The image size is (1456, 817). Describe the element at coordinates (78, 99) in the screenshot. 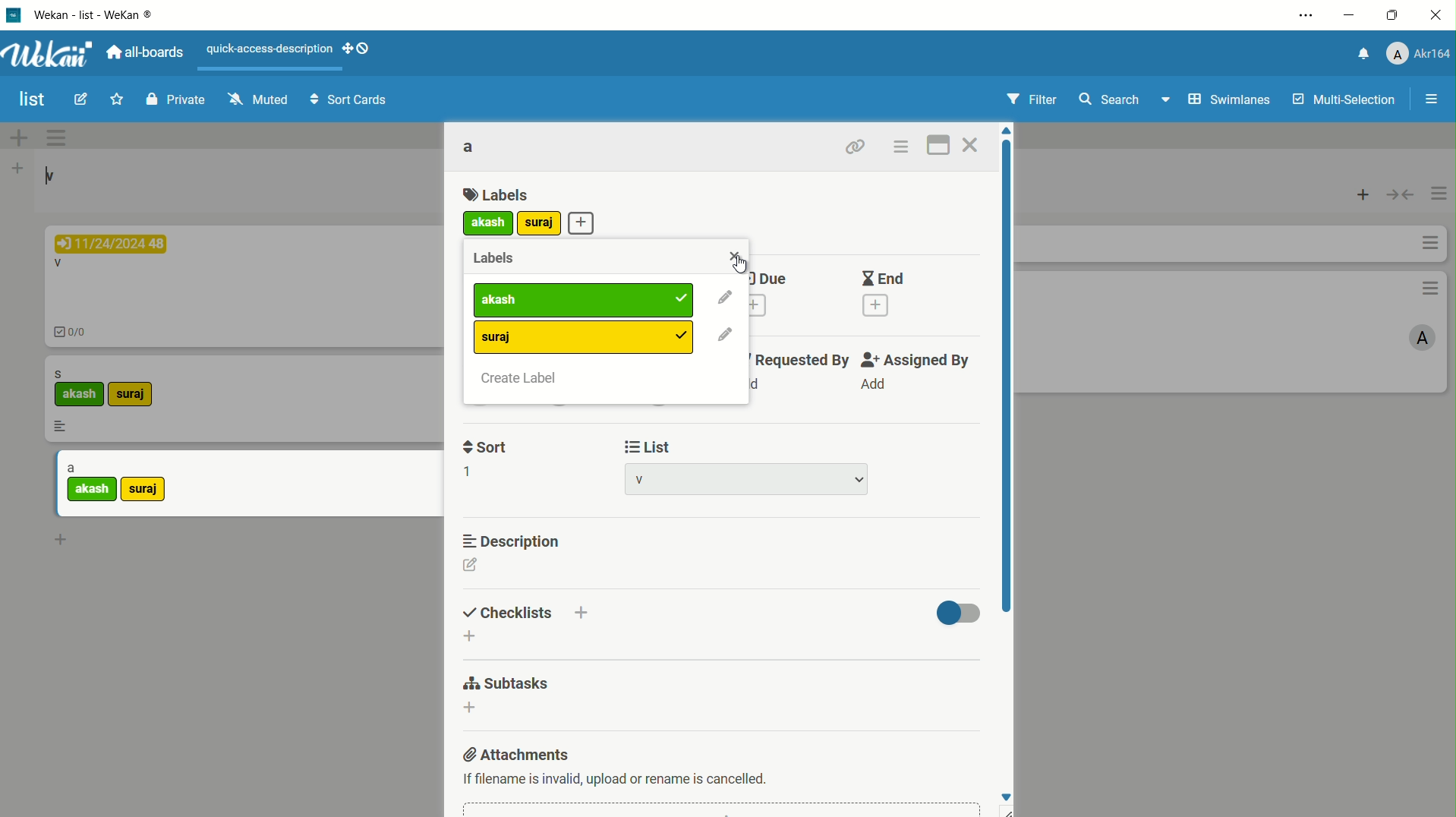

I see `edit` at that location.